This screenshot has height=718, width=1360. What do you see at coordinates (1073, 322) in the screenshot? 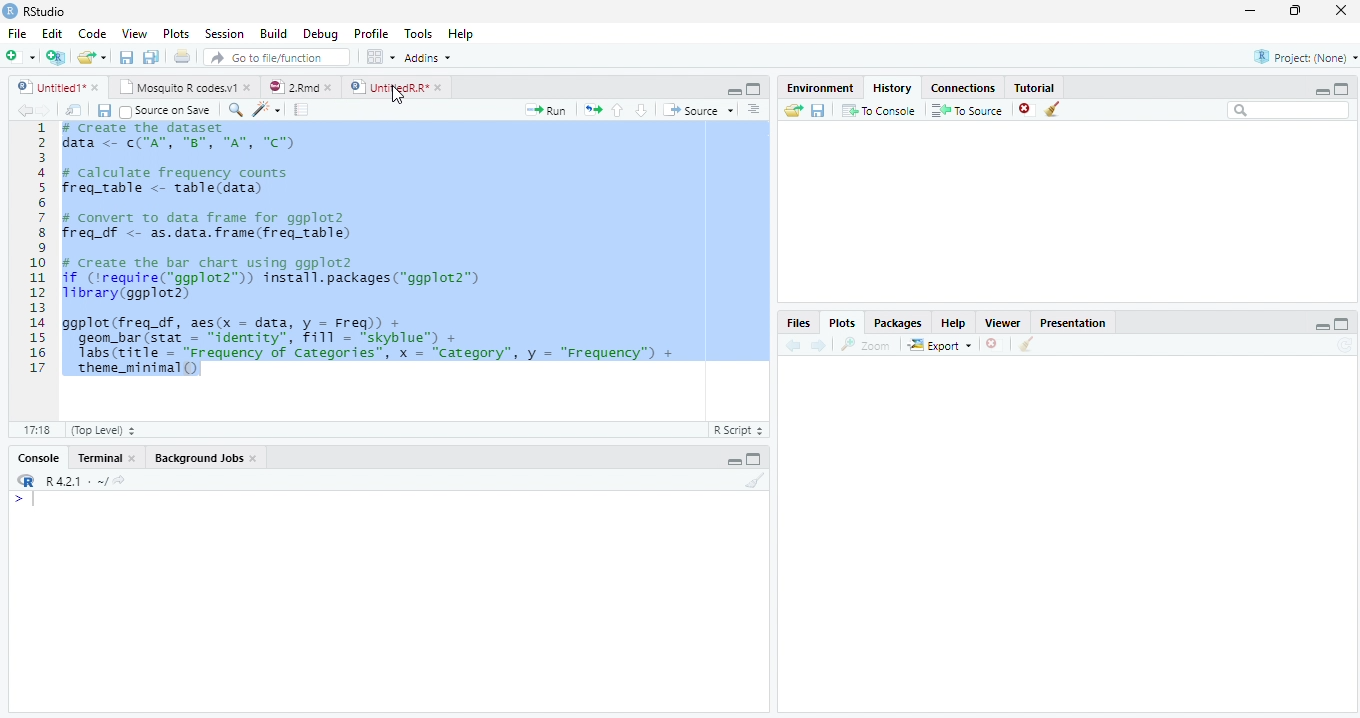
I see `Presentation` at bounding box center [1073, 322].